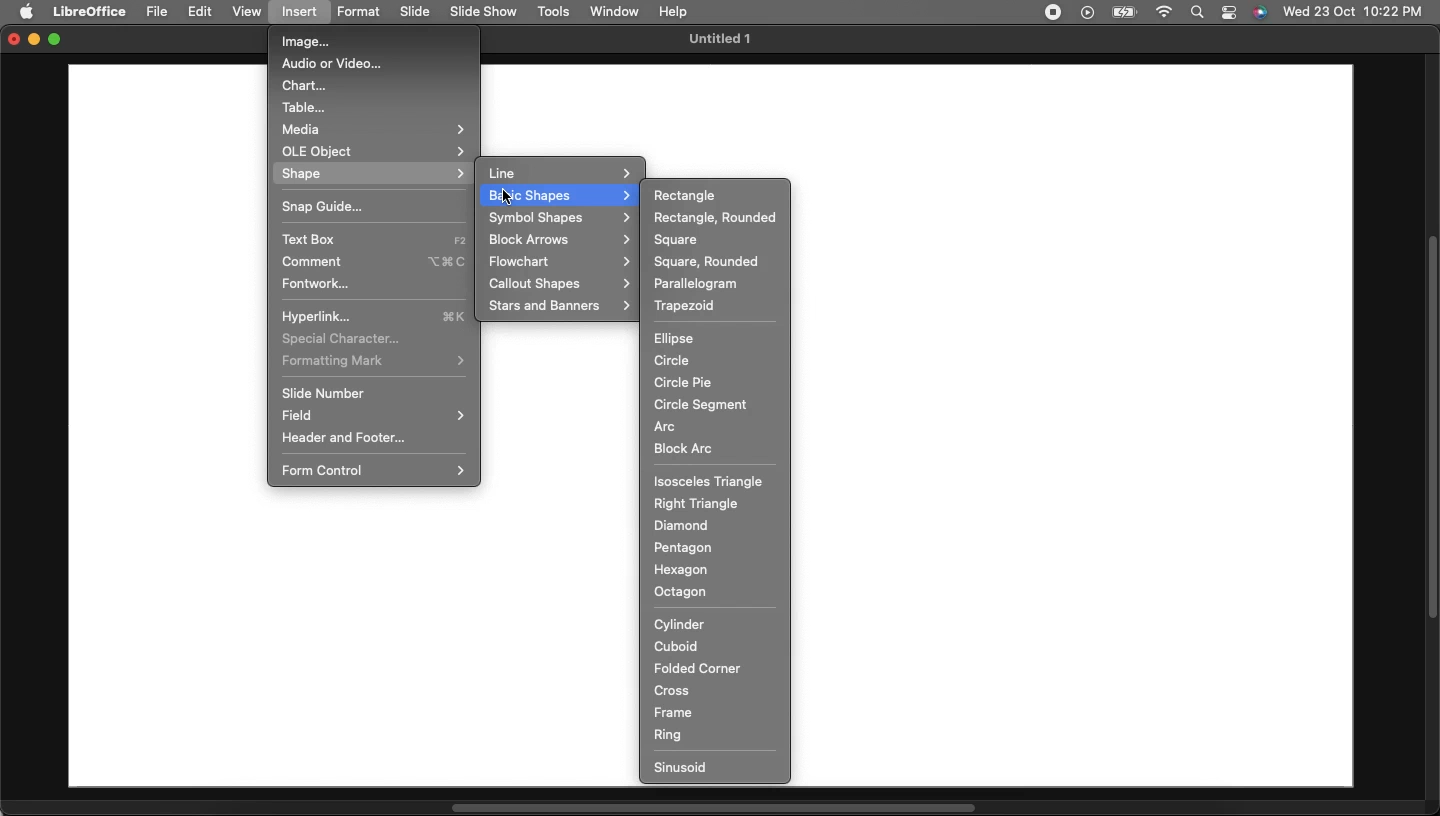 The width and height of the screenshot is (1440, 816). I want to click on Stars and banners, so click(557, 305).